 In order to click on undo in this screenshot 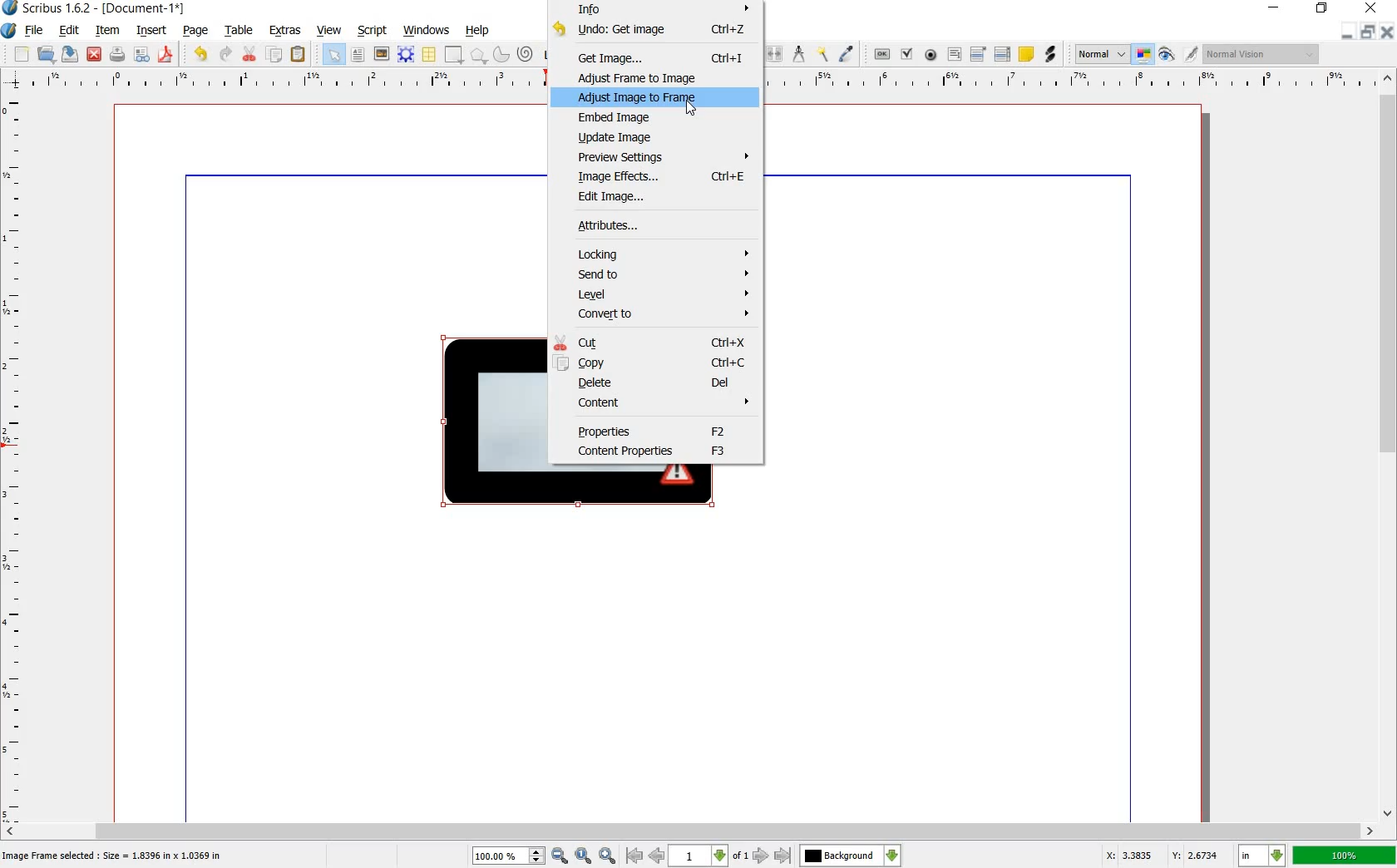, I will do `click(201, 53)`.